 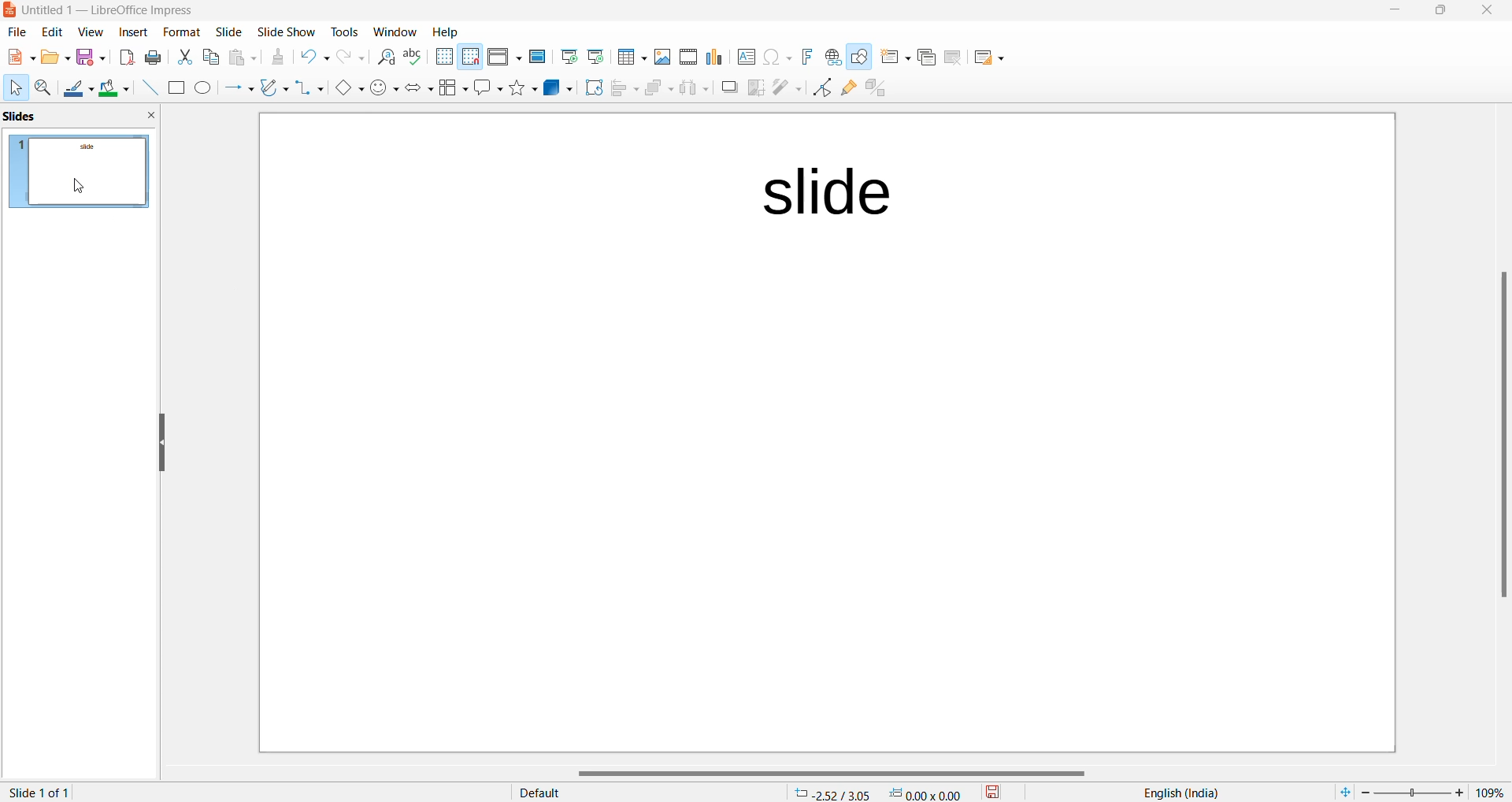 I want to click on new slide, so click(x=895, y=61).